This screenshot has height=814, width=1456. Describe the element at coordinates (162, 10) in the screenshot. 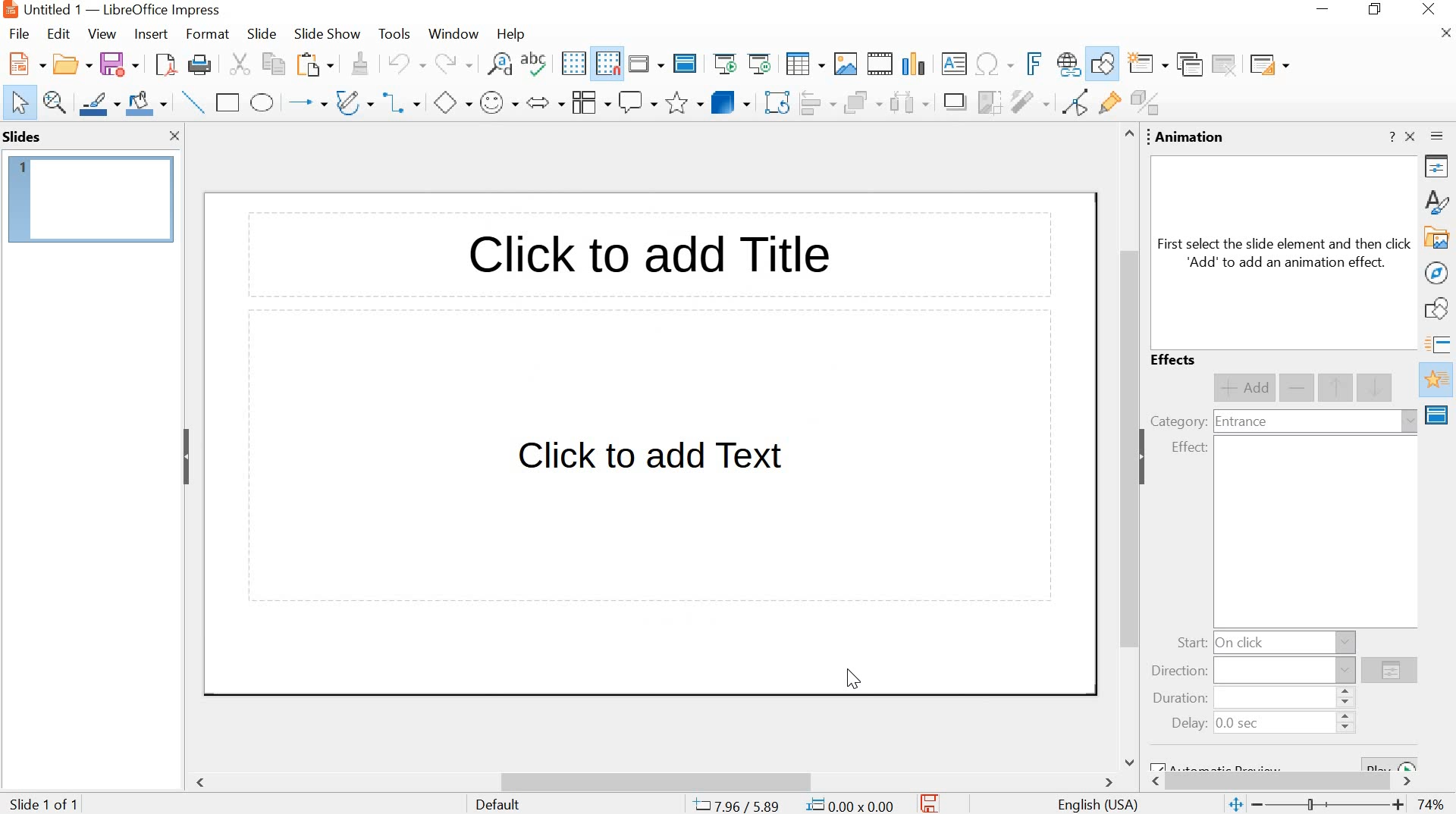

I see `app name` at that location.